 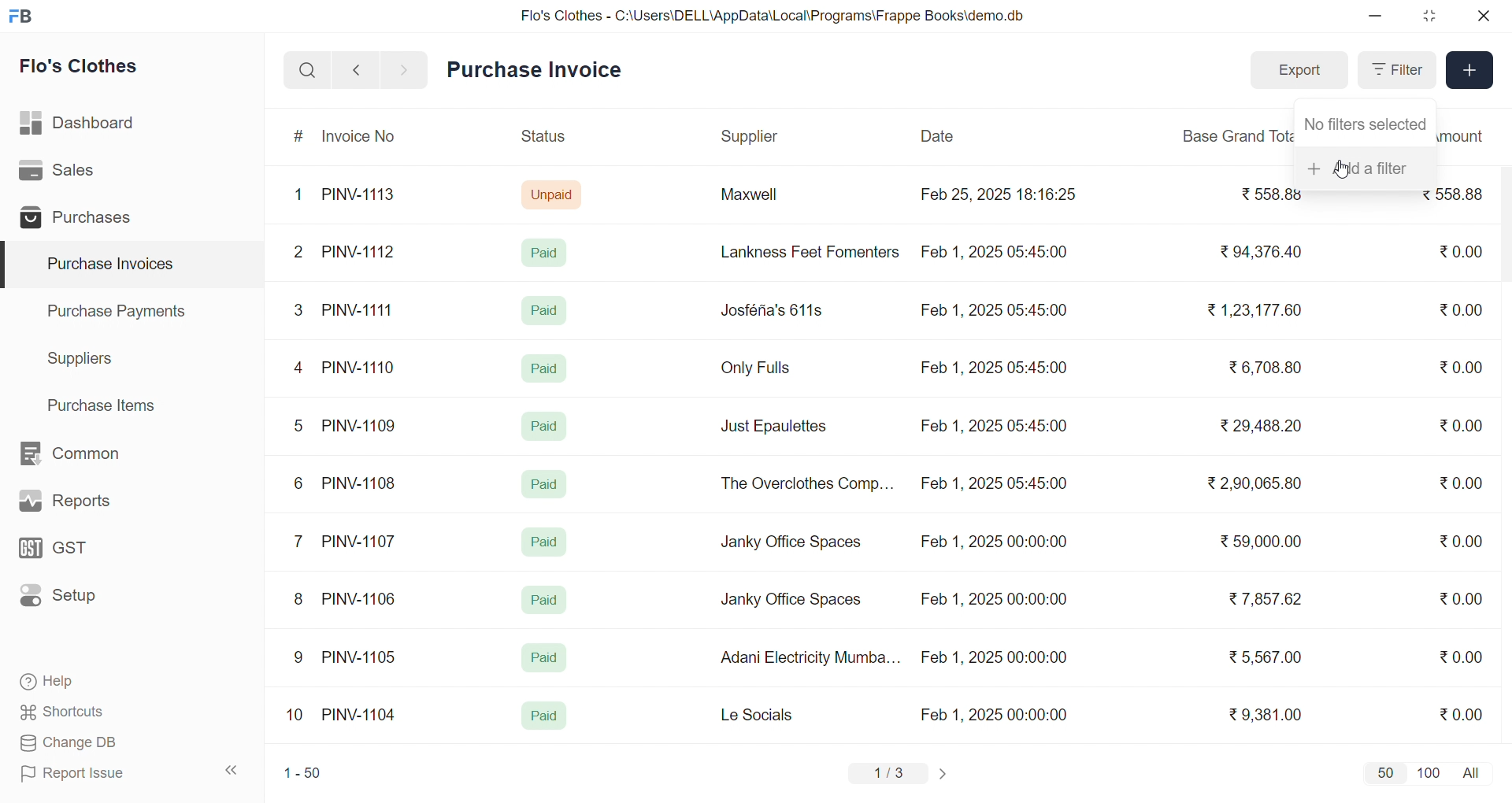 What do you see at coordinates (545, 484) in the screenshot?
I see `Paid` at bounding box center [545, 484].